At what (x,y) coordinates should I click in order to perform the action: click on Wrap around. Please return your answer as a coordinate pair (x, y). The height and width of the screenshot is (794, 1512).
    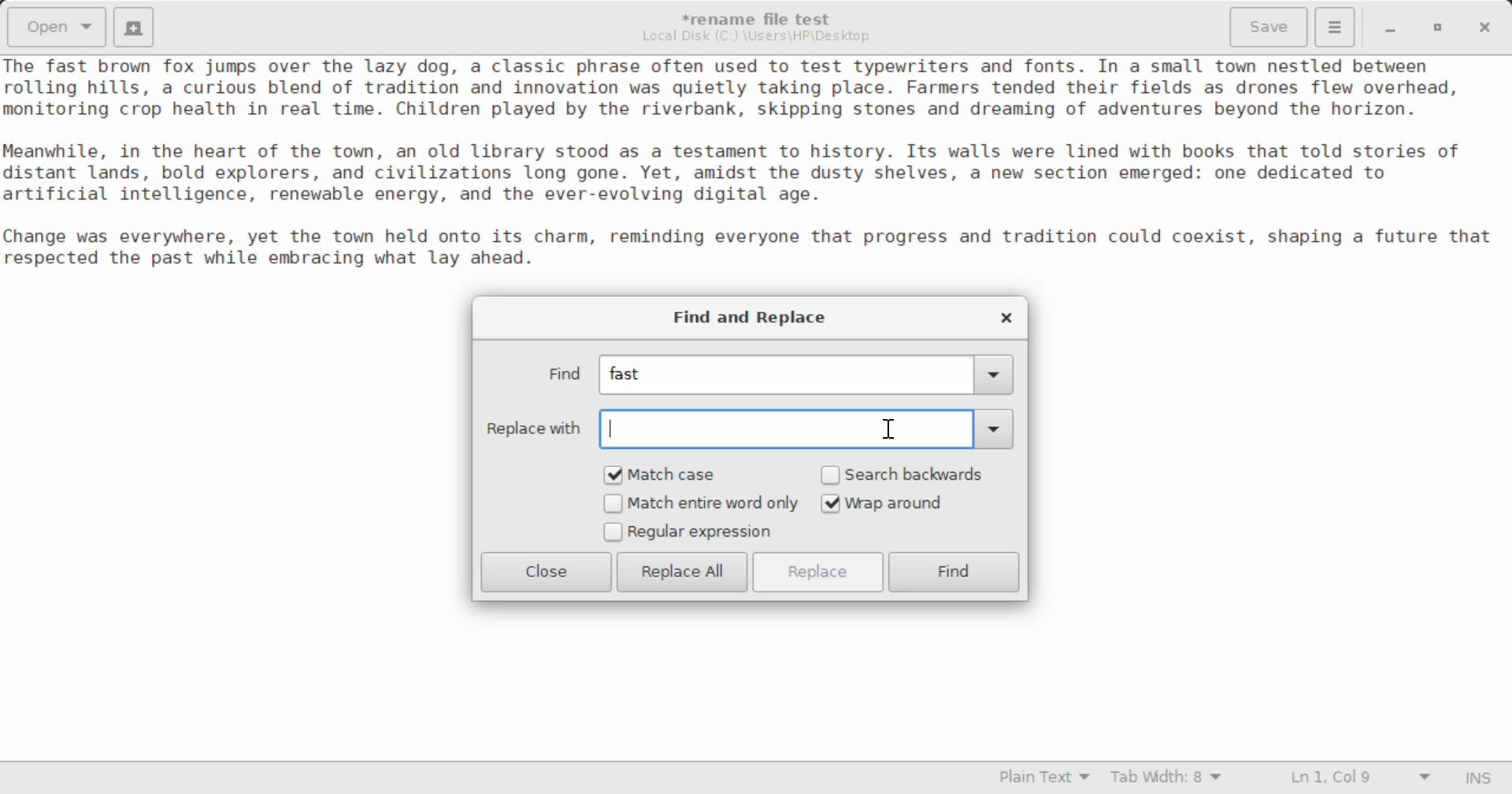
    Looking at the image, I should click on (907, 503).